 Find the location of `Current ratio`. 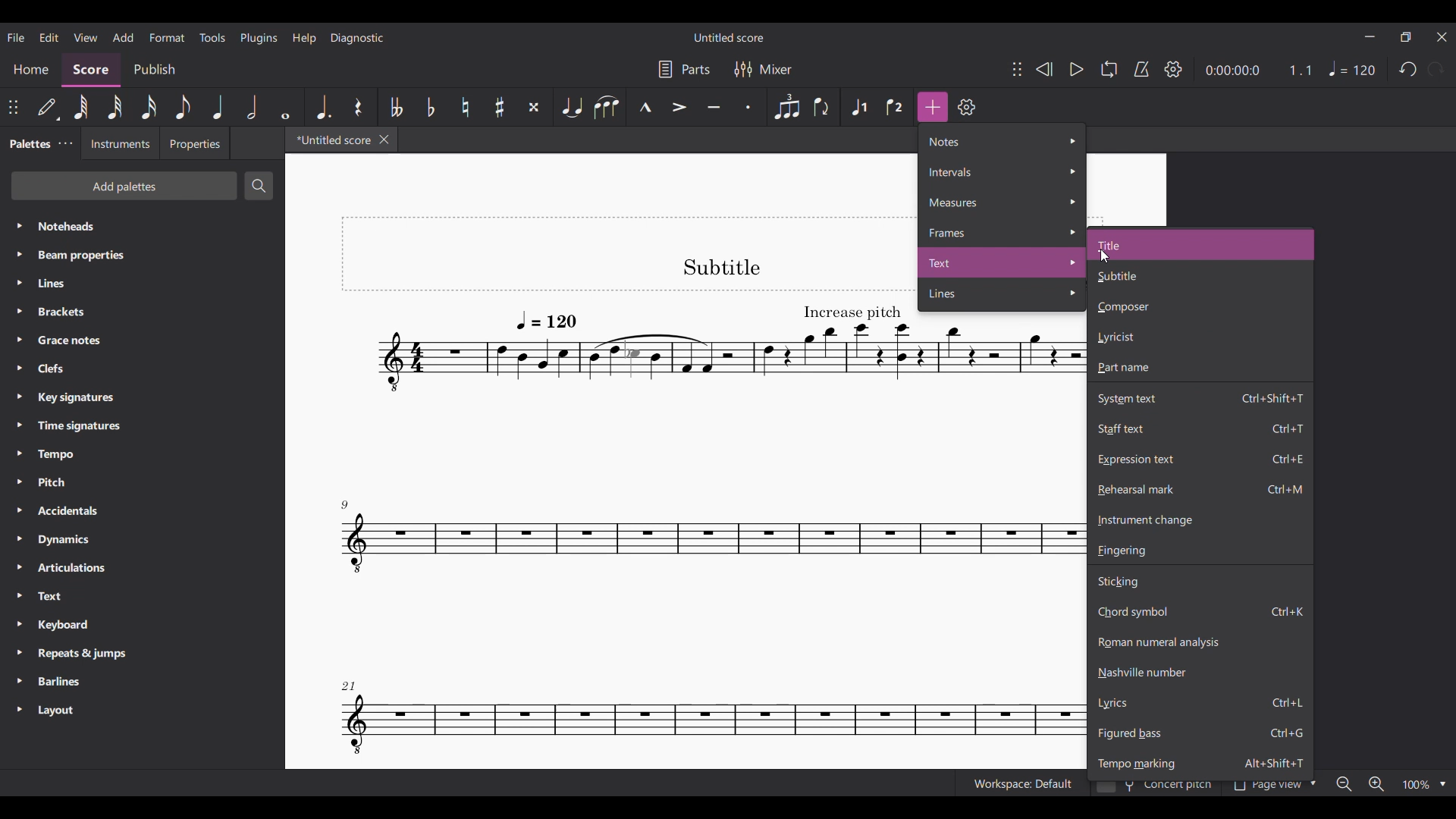

Current ratio is located at coordinates (1300, 70).